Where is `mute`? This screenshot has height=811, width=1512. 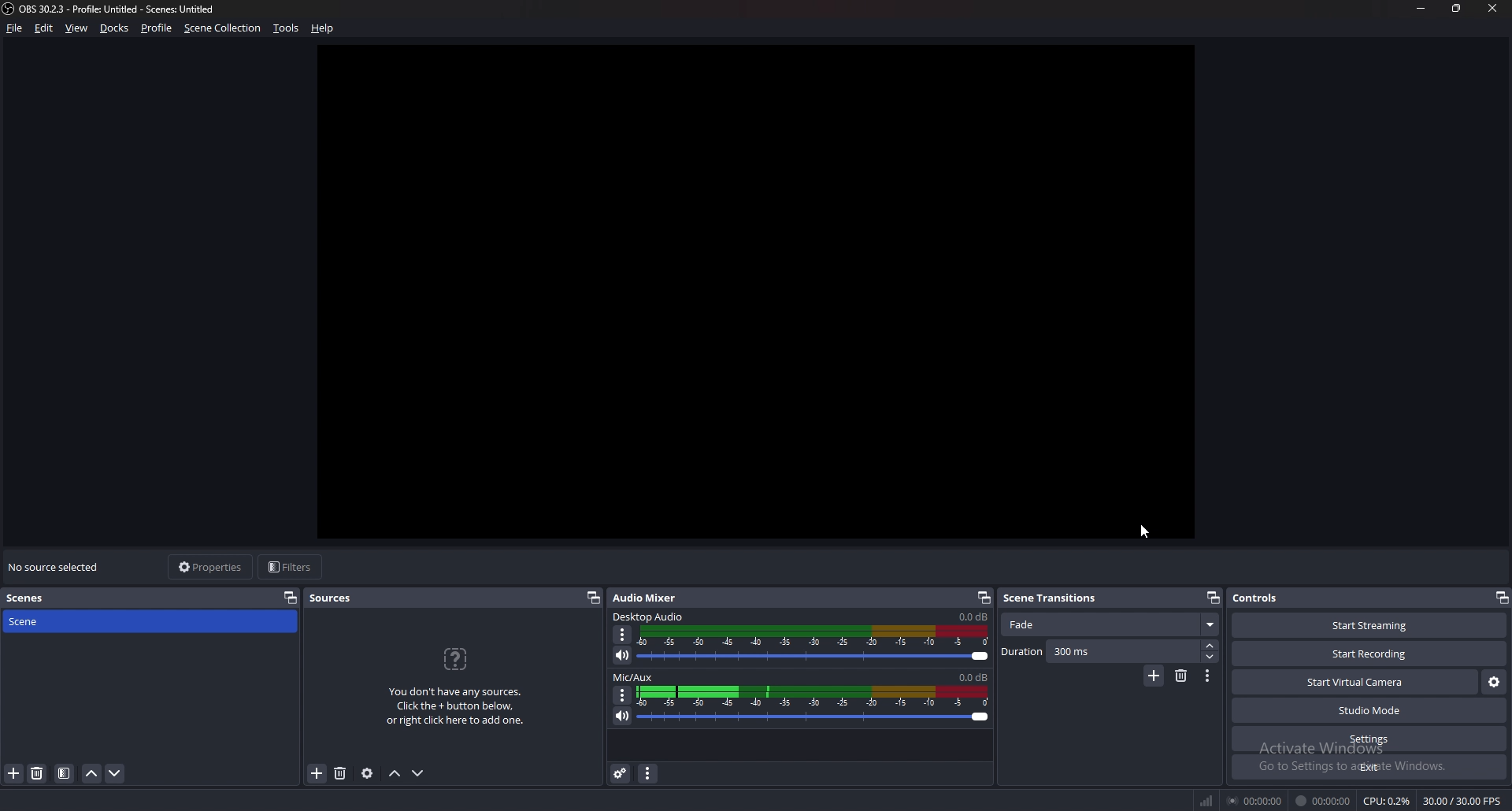 mute is located at coordinates (621, 716).